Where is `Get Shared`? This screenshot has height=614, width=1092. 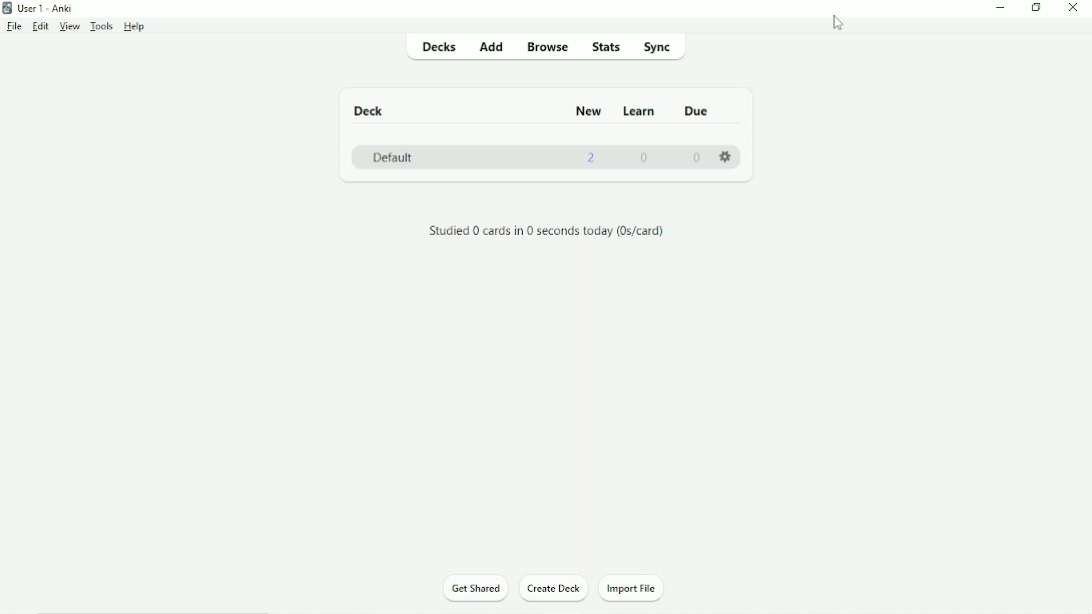
Get Shared is located at coordinates (474, 588).